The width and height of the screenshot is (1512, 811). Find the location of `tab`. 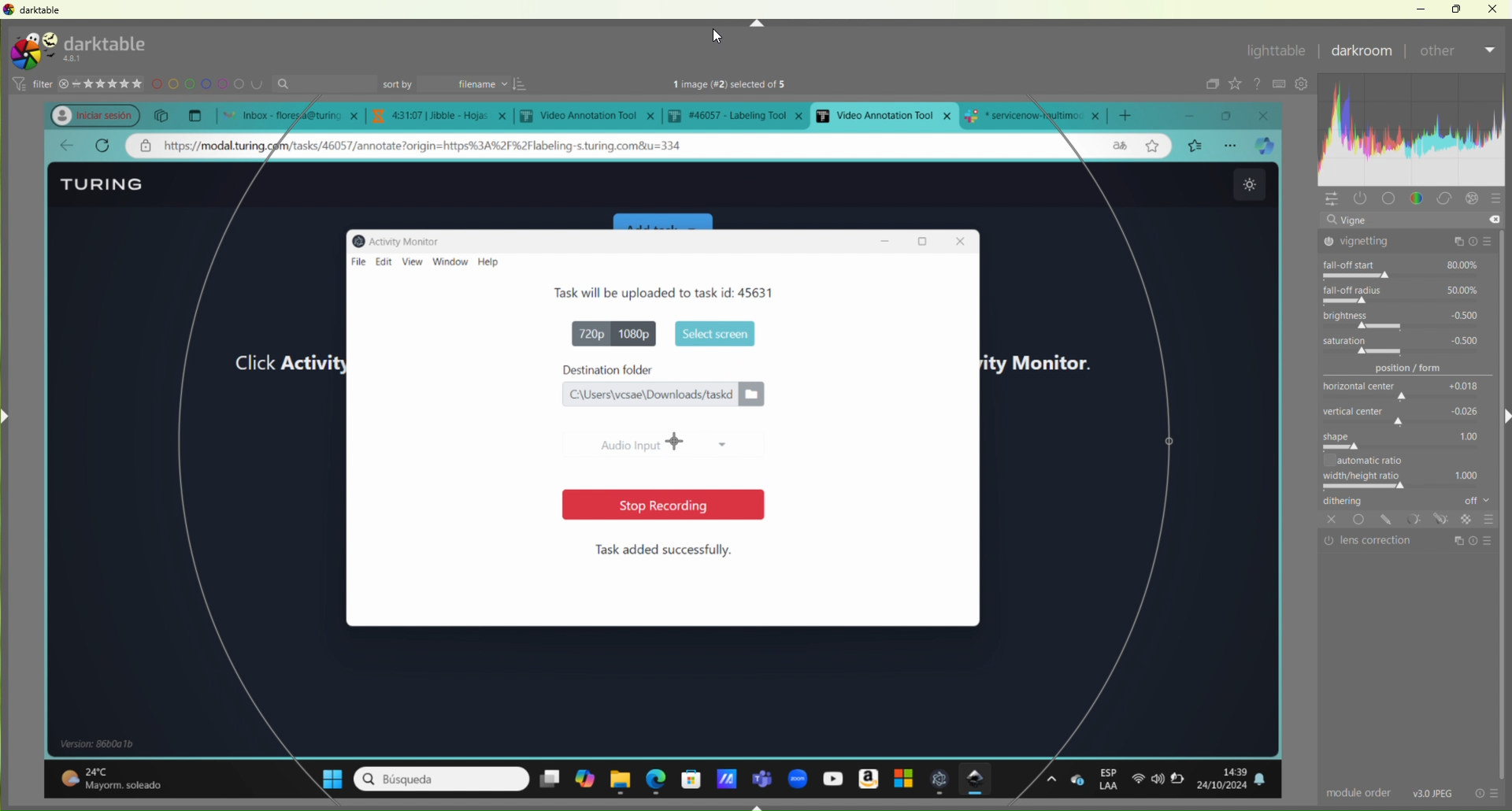

tab is located at coordinates (1038, 114).